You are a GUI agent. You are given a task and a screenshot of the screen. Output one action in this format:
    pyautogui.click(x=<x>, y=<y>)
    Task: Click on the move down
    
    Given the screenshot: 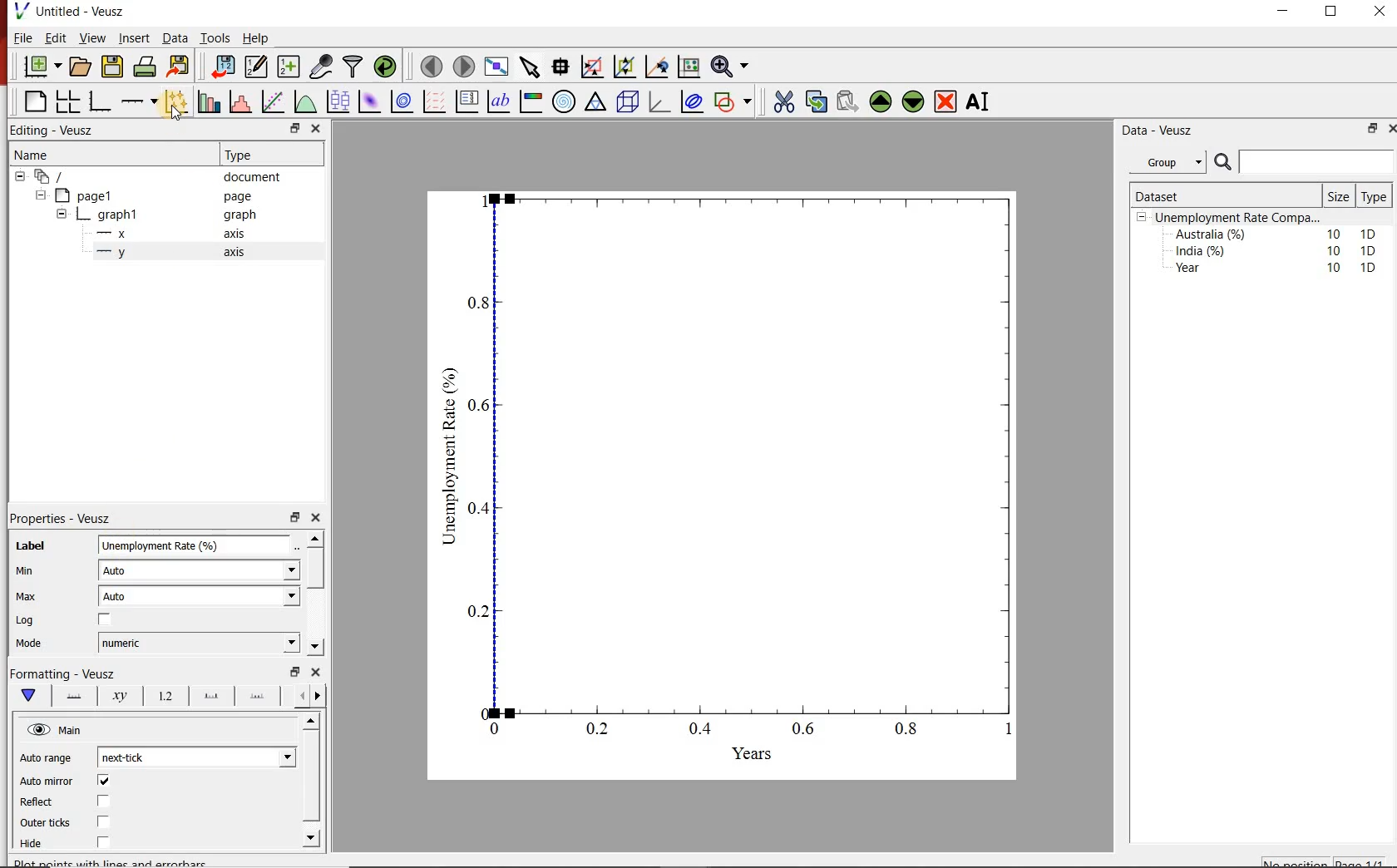 What is the action you would take?
    pyautogui.click(x=311, y=838)
    